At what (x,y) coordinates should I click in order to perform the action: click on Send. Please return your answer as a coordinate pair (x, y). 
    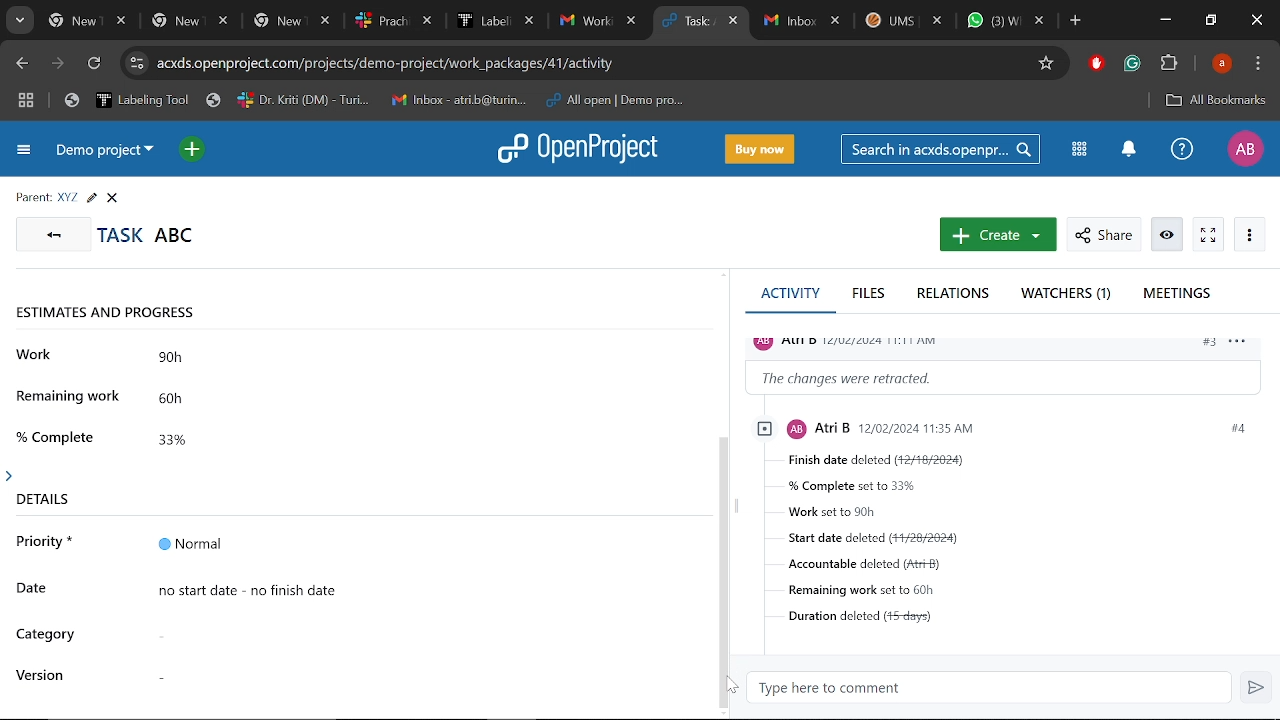
    Looking at the image, I should click on (1255, 687).